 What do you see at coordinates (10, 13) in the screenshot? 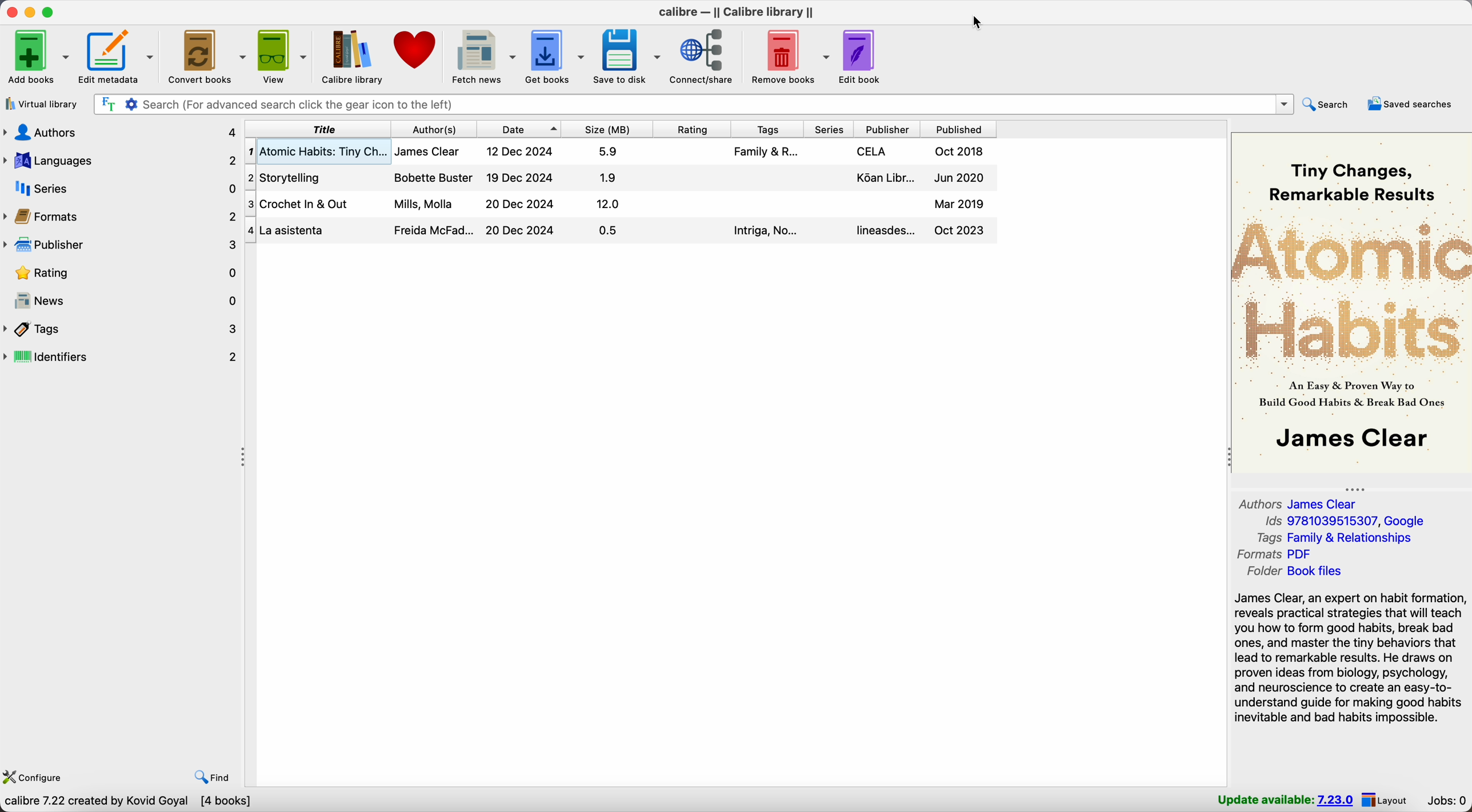
I see `close Calibre` at bounding box center [10, 13].